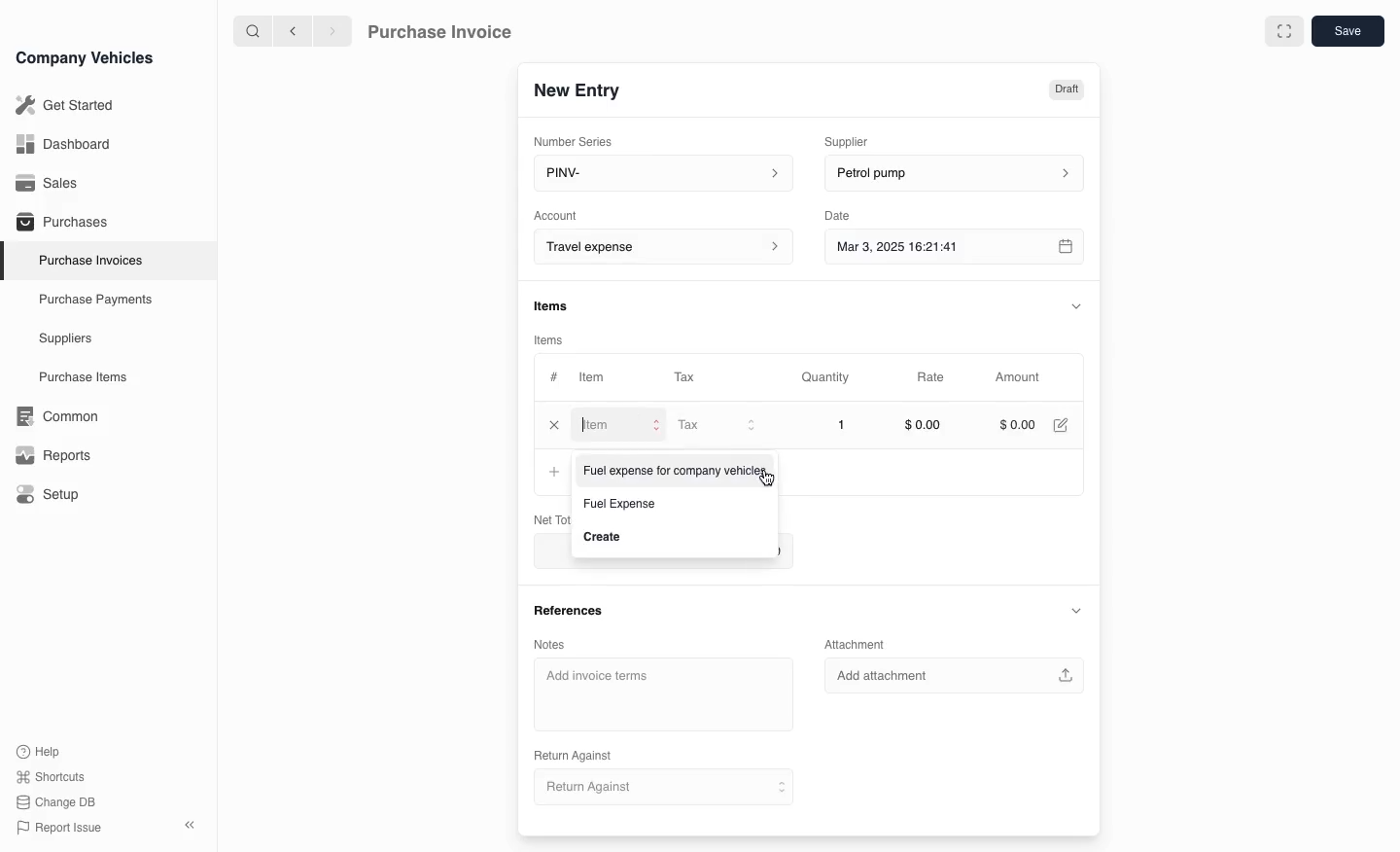 This screenshot has height=852, width=1400. What do you see at coordinates (1075, 611) in the screenshot?
I see `collapse` at bounding box center [1075, 611].